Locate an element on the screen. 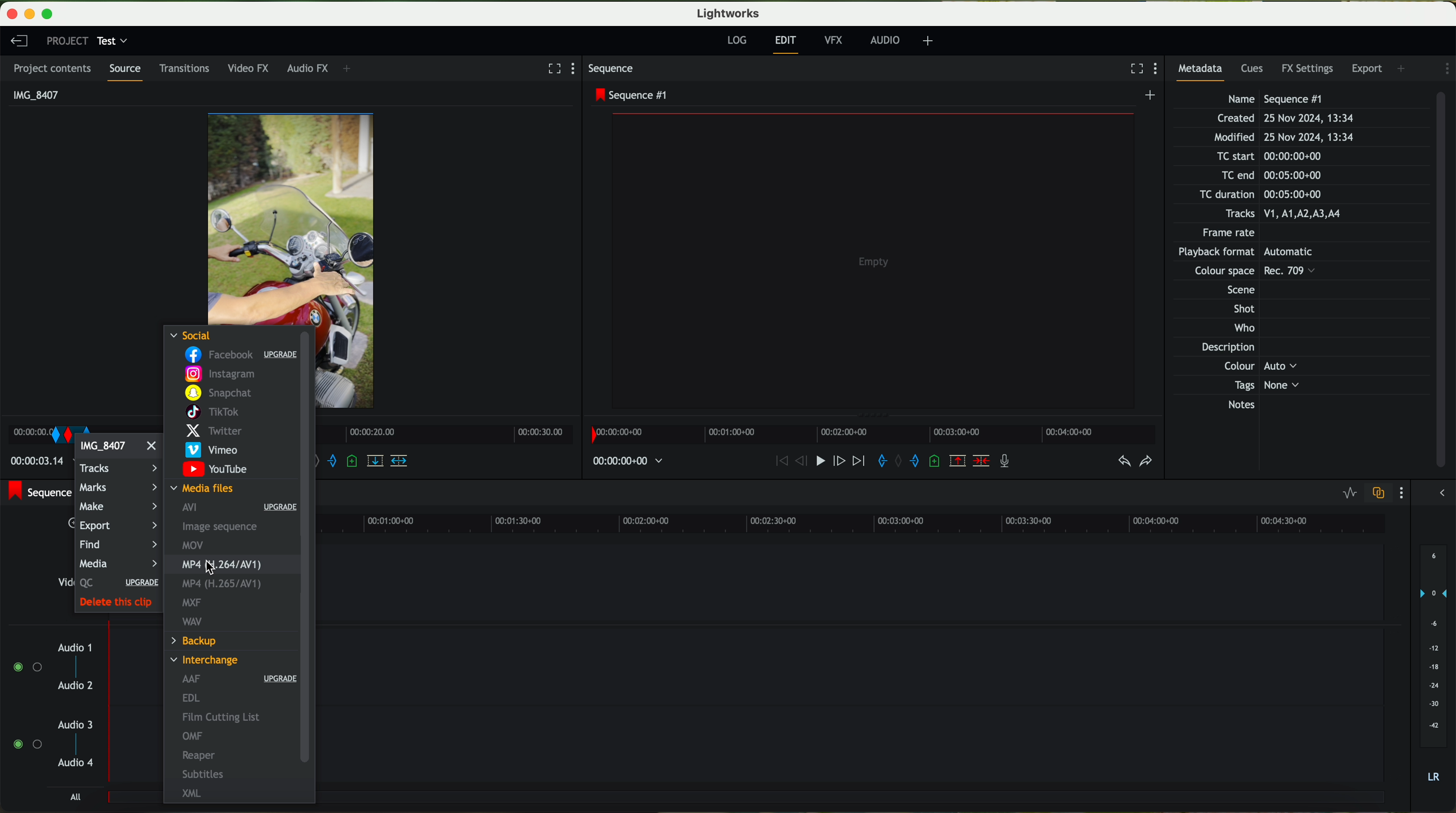 The height and width of the screenshot is (813, 1456). video FX is located at coordinates (251, 70).